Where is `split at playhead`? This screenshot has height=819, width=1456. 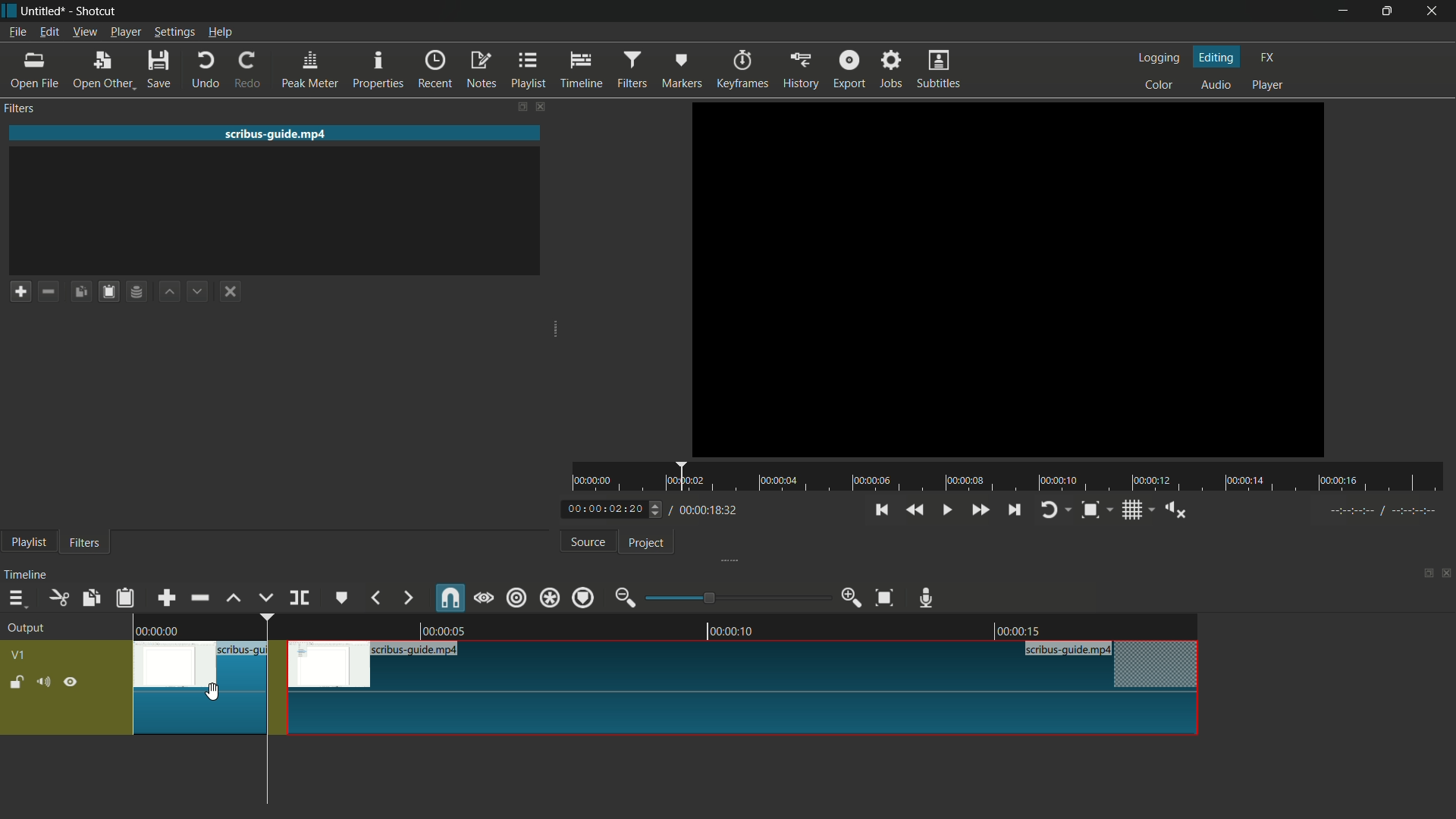 split at playhead is located at coordinates (300, 598).